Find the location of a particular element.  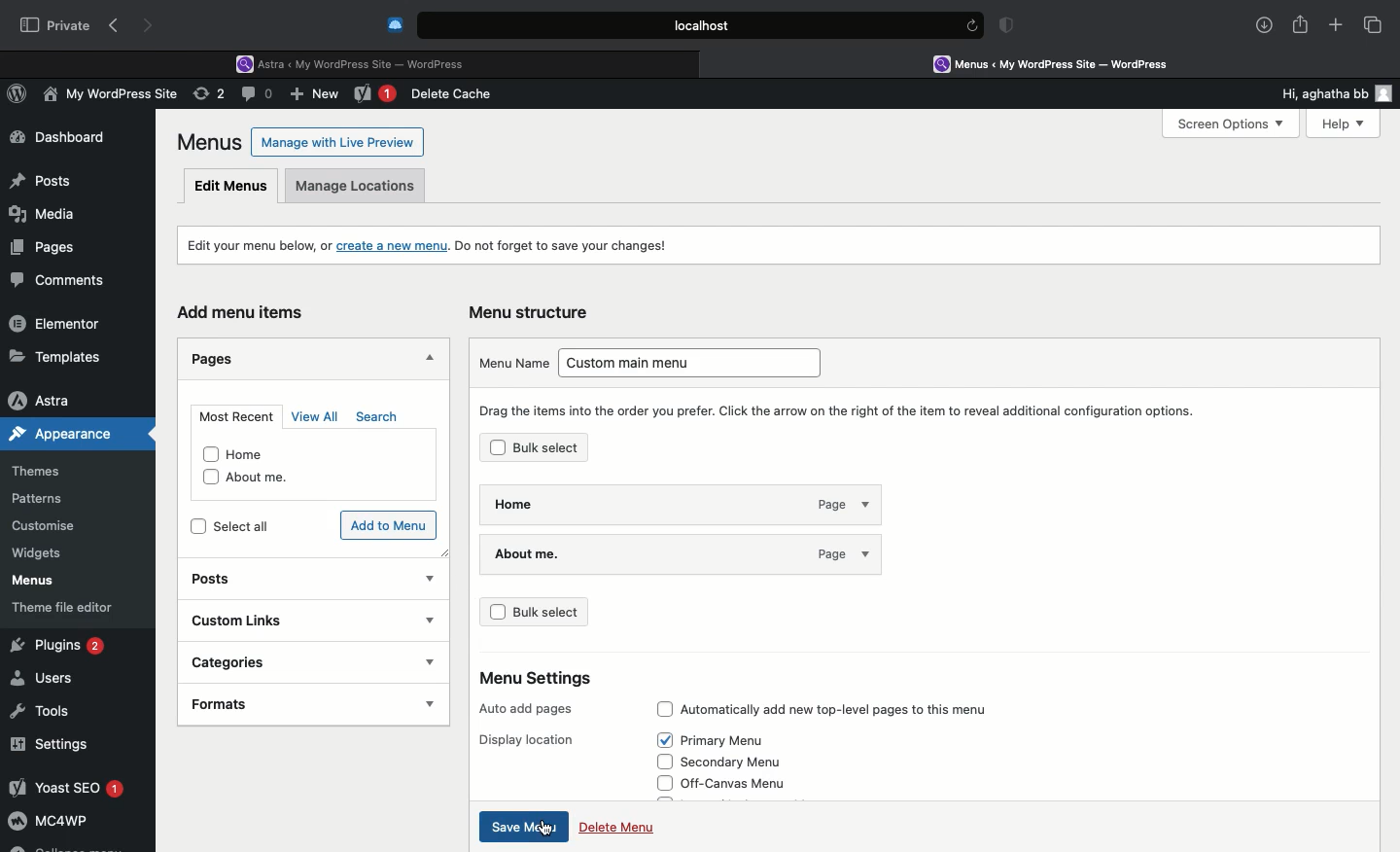

Badge is located at coordinates (1010, 27).